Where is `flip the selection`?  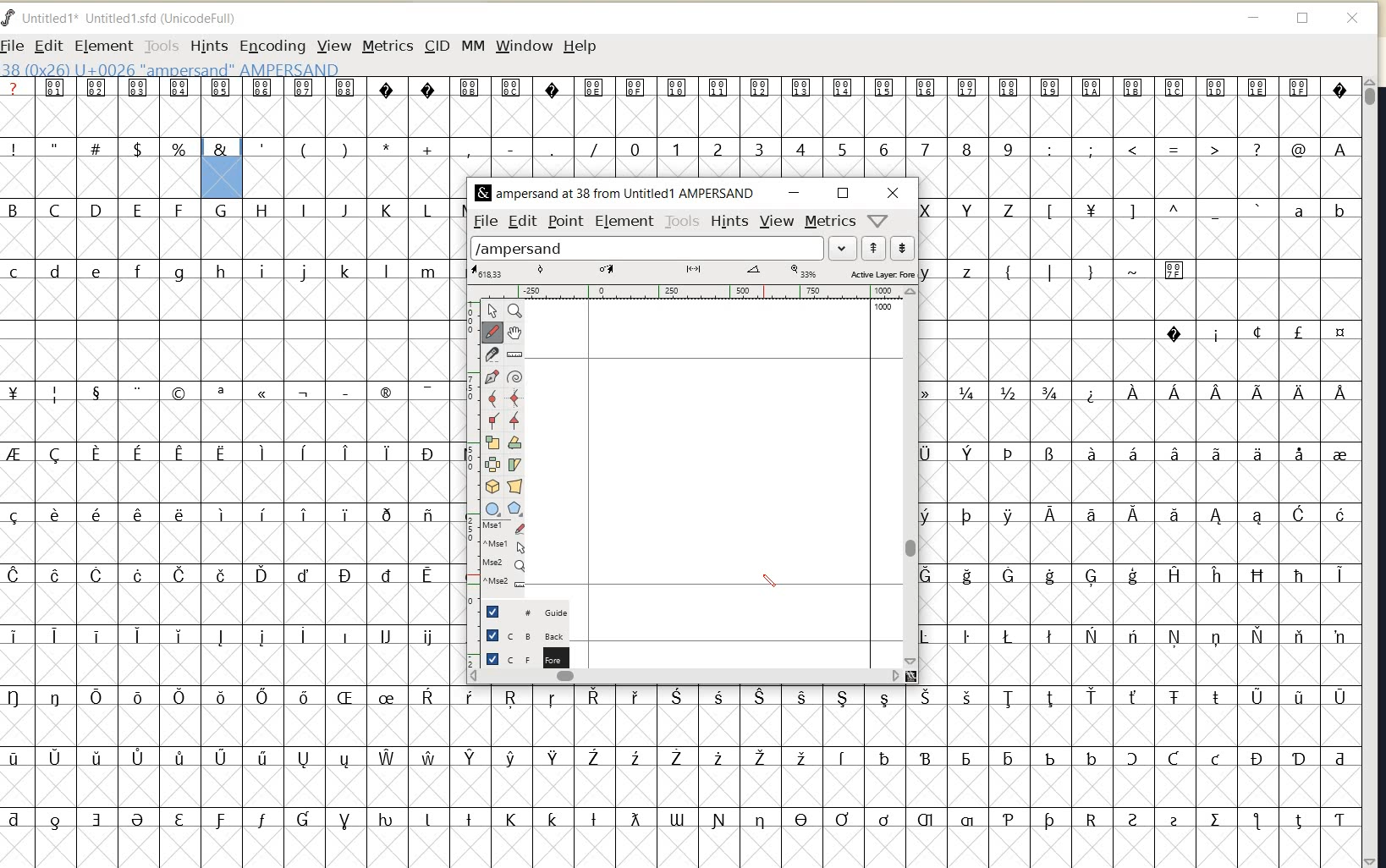 flip the selection is located at coordinates (492, 464).